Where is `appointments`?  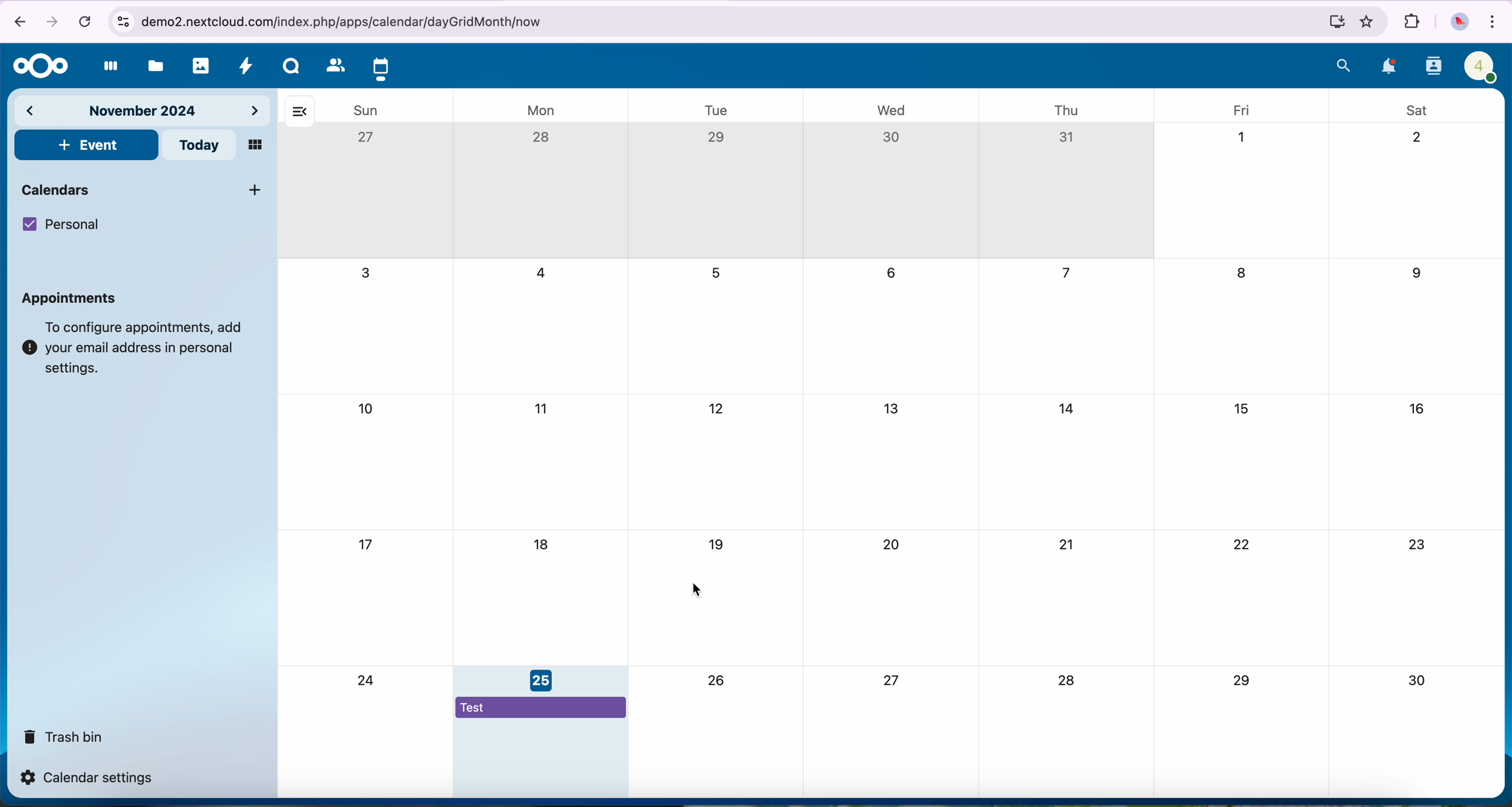
appointments is located at coordinates (73, 298).